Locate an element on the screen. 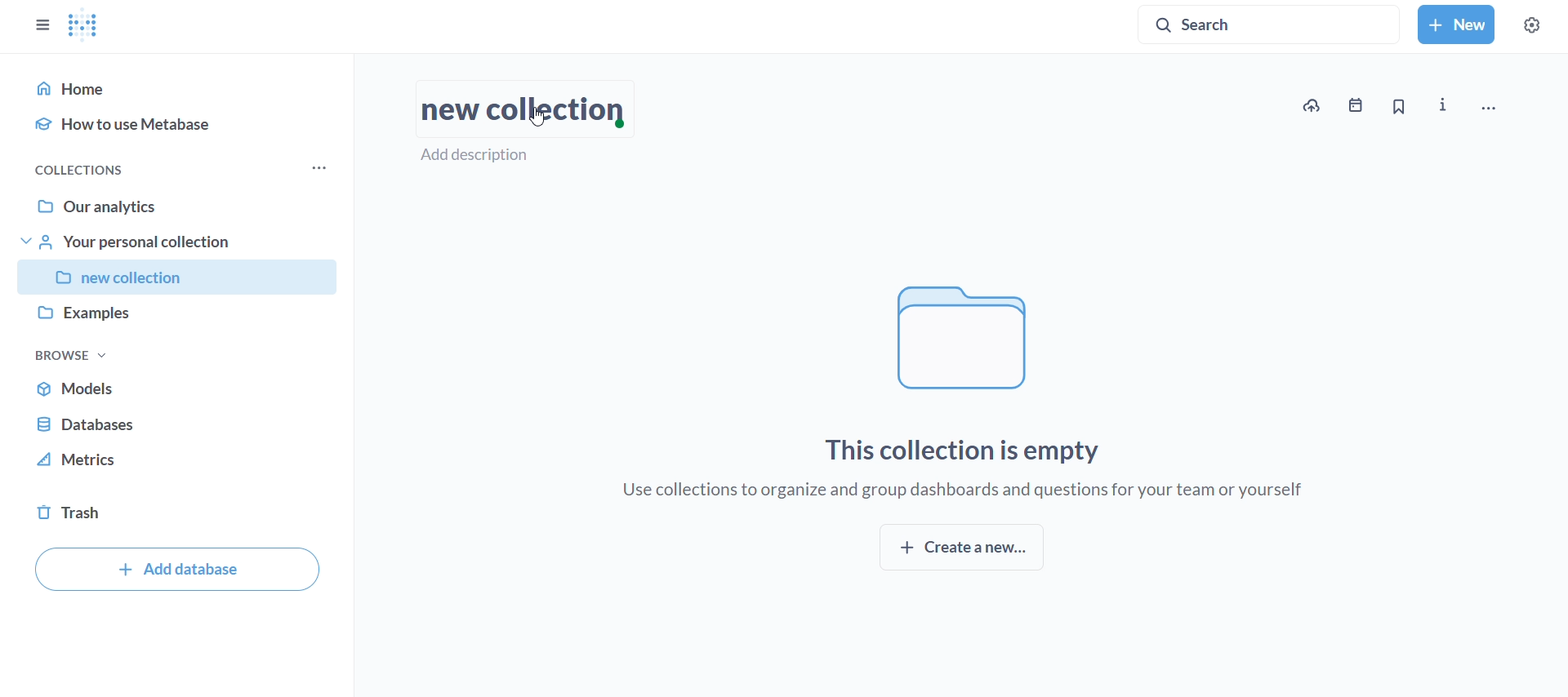 This screenshot has width=1568, height=697. models is located at coordinates (179, 388).